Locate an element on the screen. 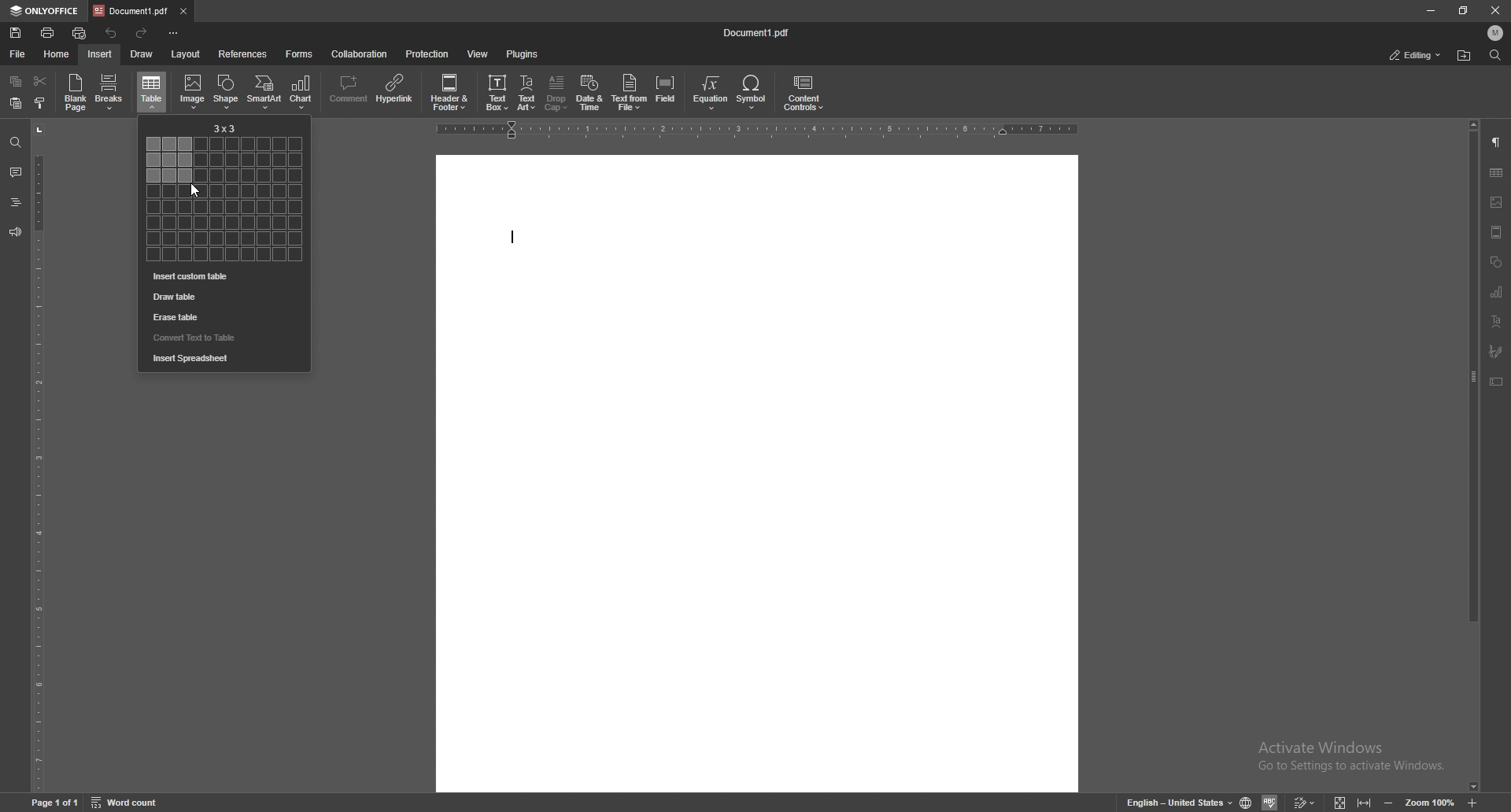  undo is located at coordinates (113, 32).